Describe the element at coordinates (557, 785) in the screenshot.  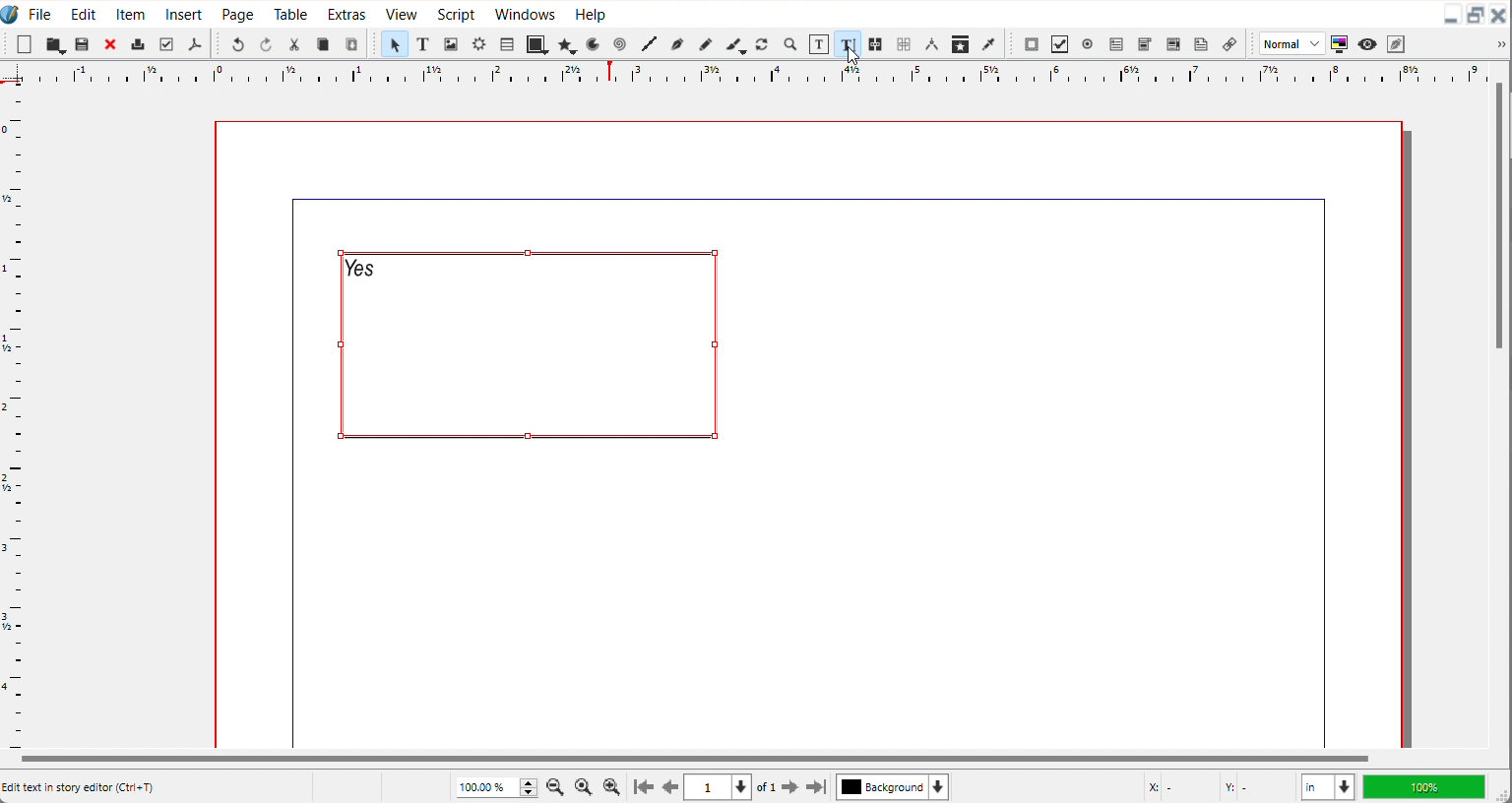
I see `Zoom Out` at that location.